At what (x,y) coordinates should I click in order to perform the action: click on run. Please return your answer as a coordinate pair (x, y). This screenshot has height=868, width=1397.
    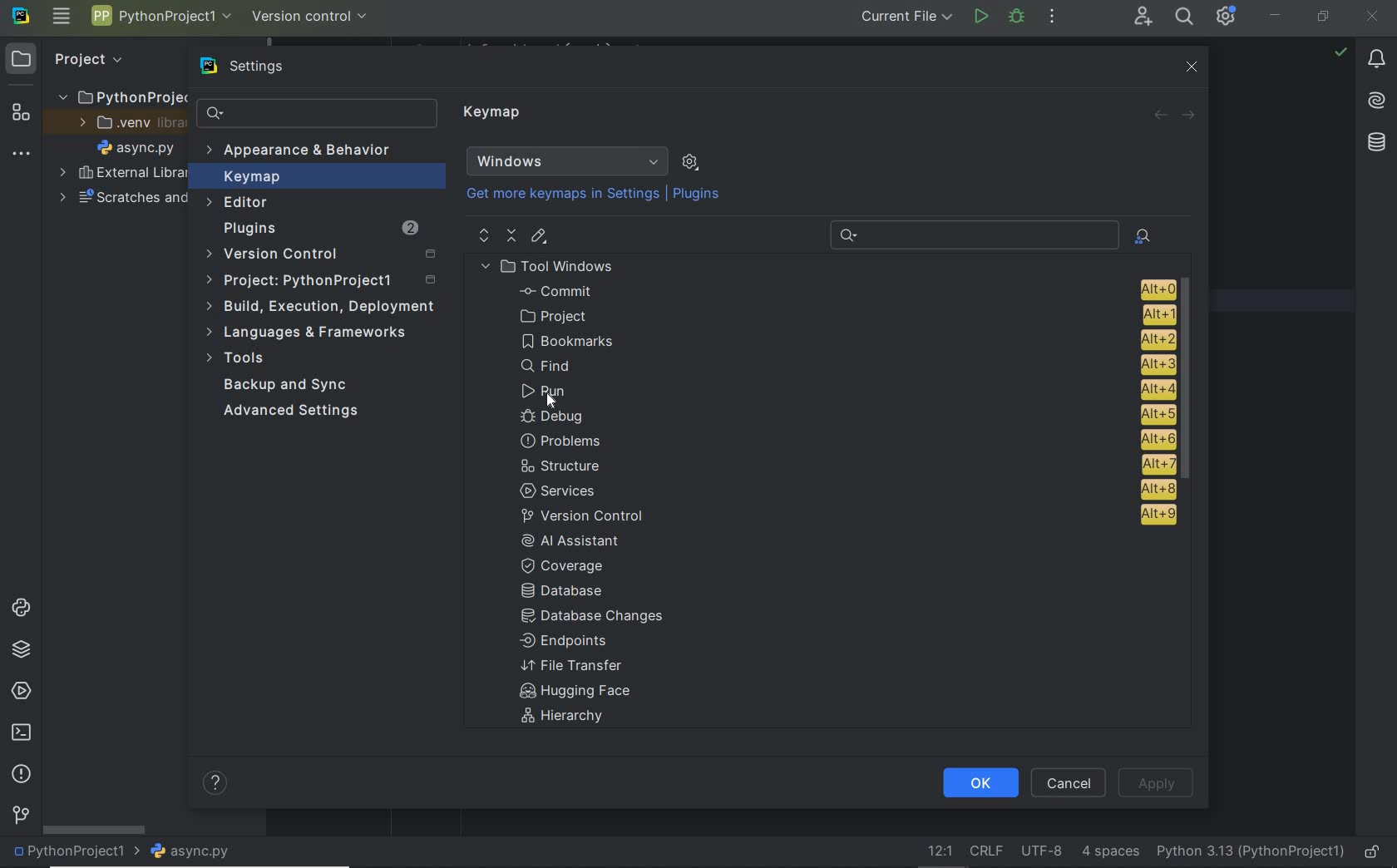
    Looking at the image, I should click on (980, 18).